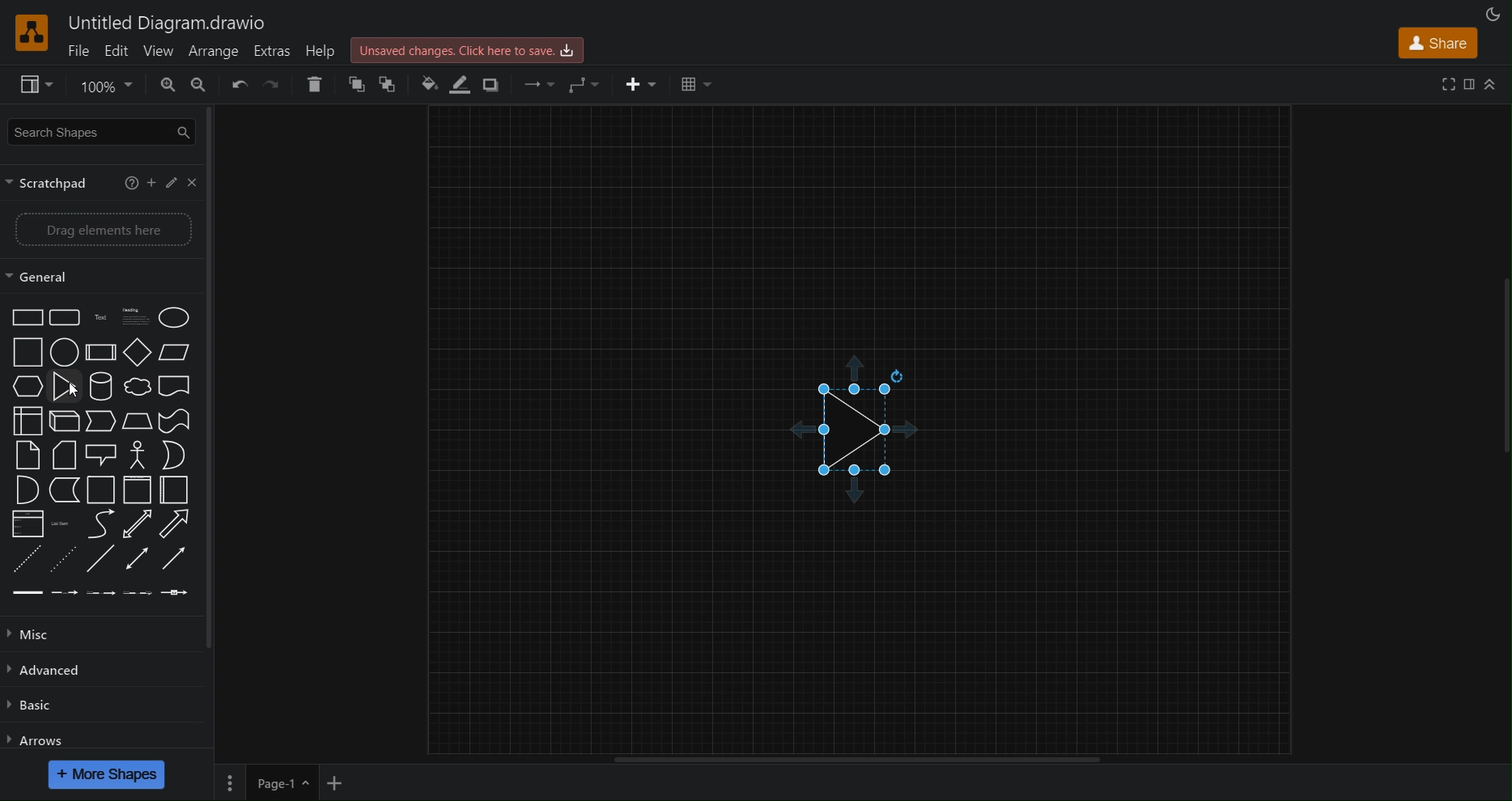 Image resolution: width=1512 pixels, height=801 pixels. I want to click on Scrollbar, so click(855, 761).